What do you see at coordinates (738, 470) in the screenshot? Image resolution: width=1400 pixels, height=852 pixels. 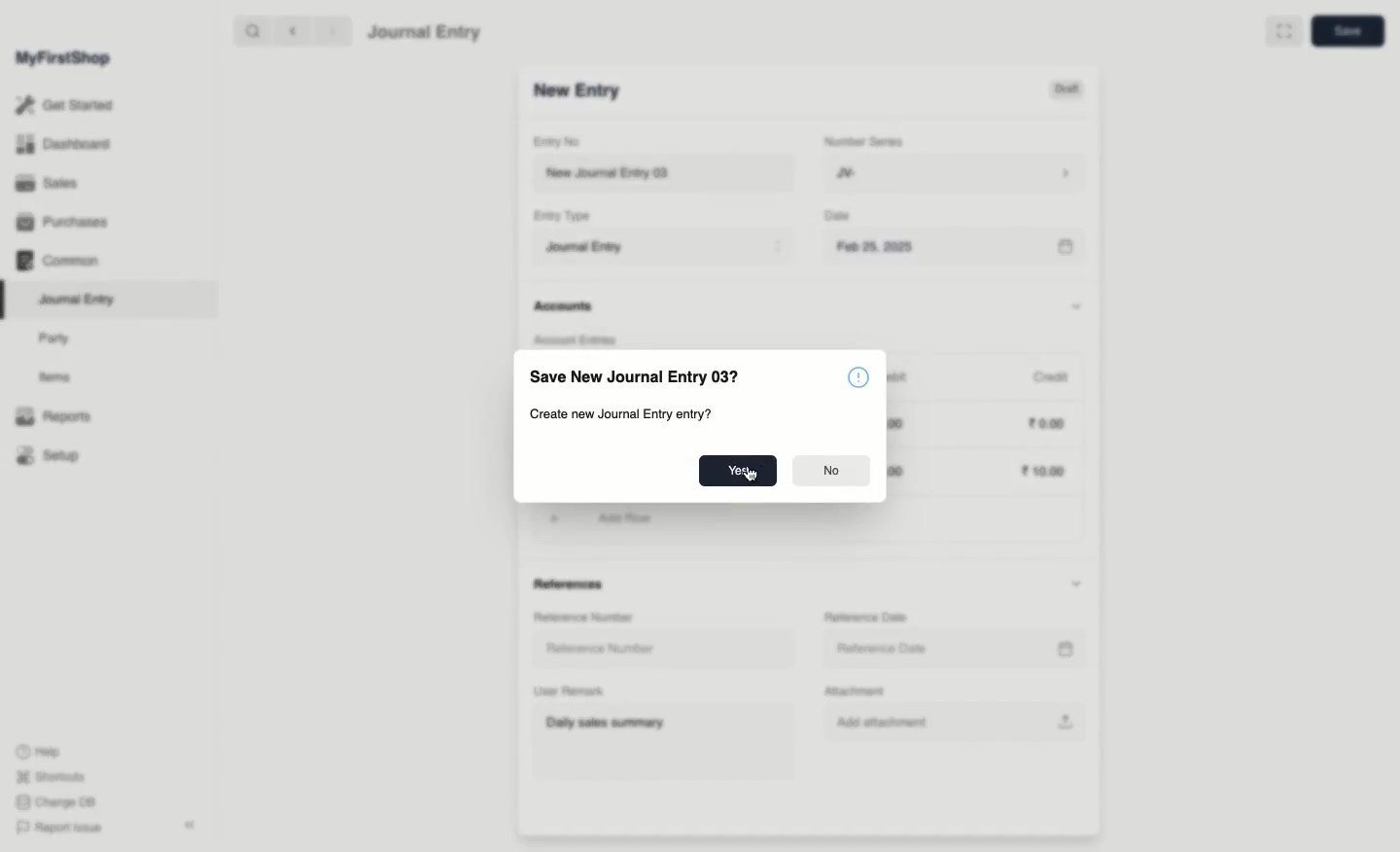 I see `Yes` at bounding box center [738, 470].